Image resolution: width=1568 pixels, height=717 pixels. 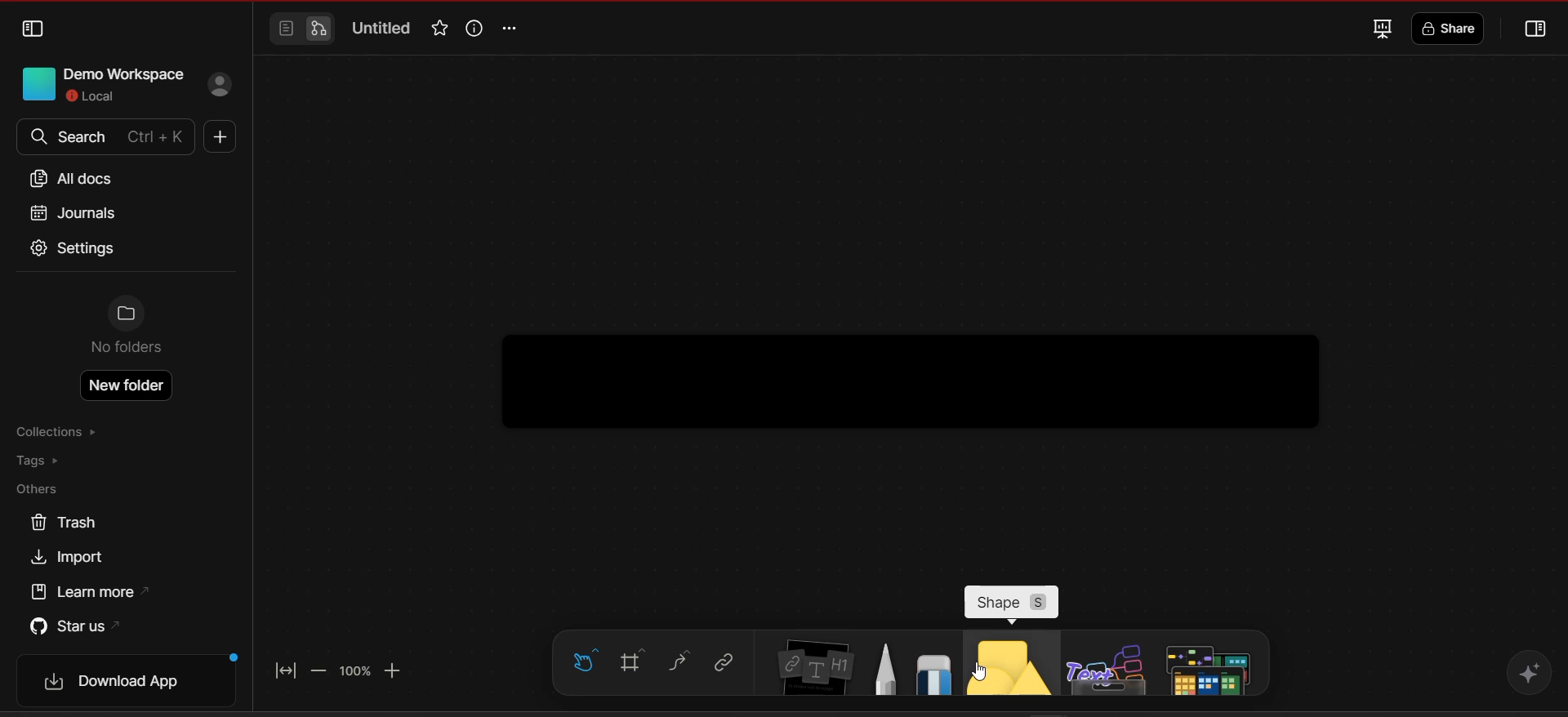 I want to click on star us, so click(x=73, y=625).